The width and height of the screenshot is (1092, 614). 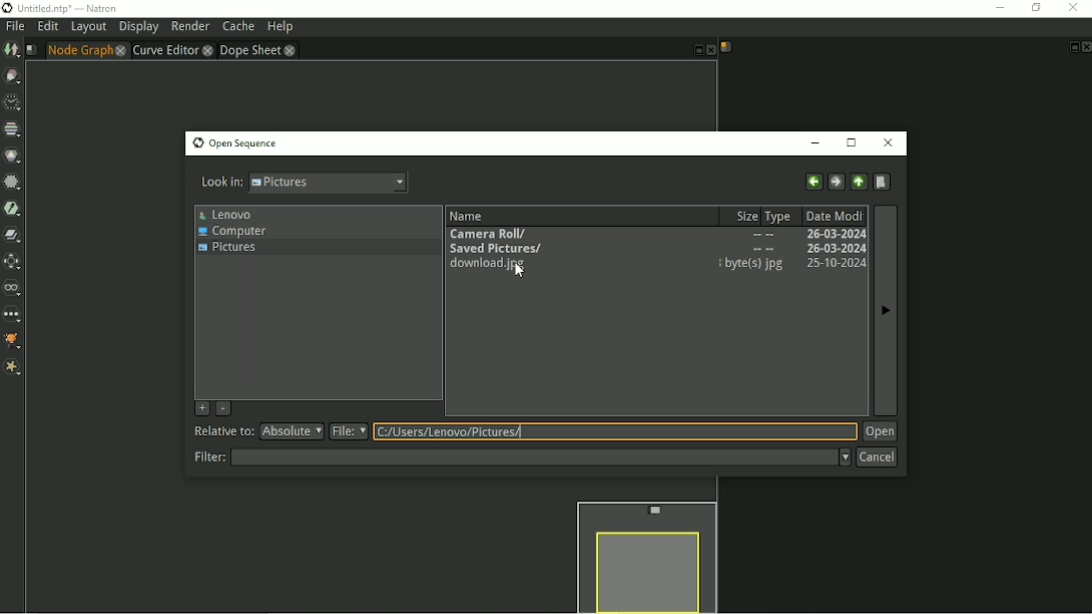 I want to click on Restore down, so click(x=1034, y=8).